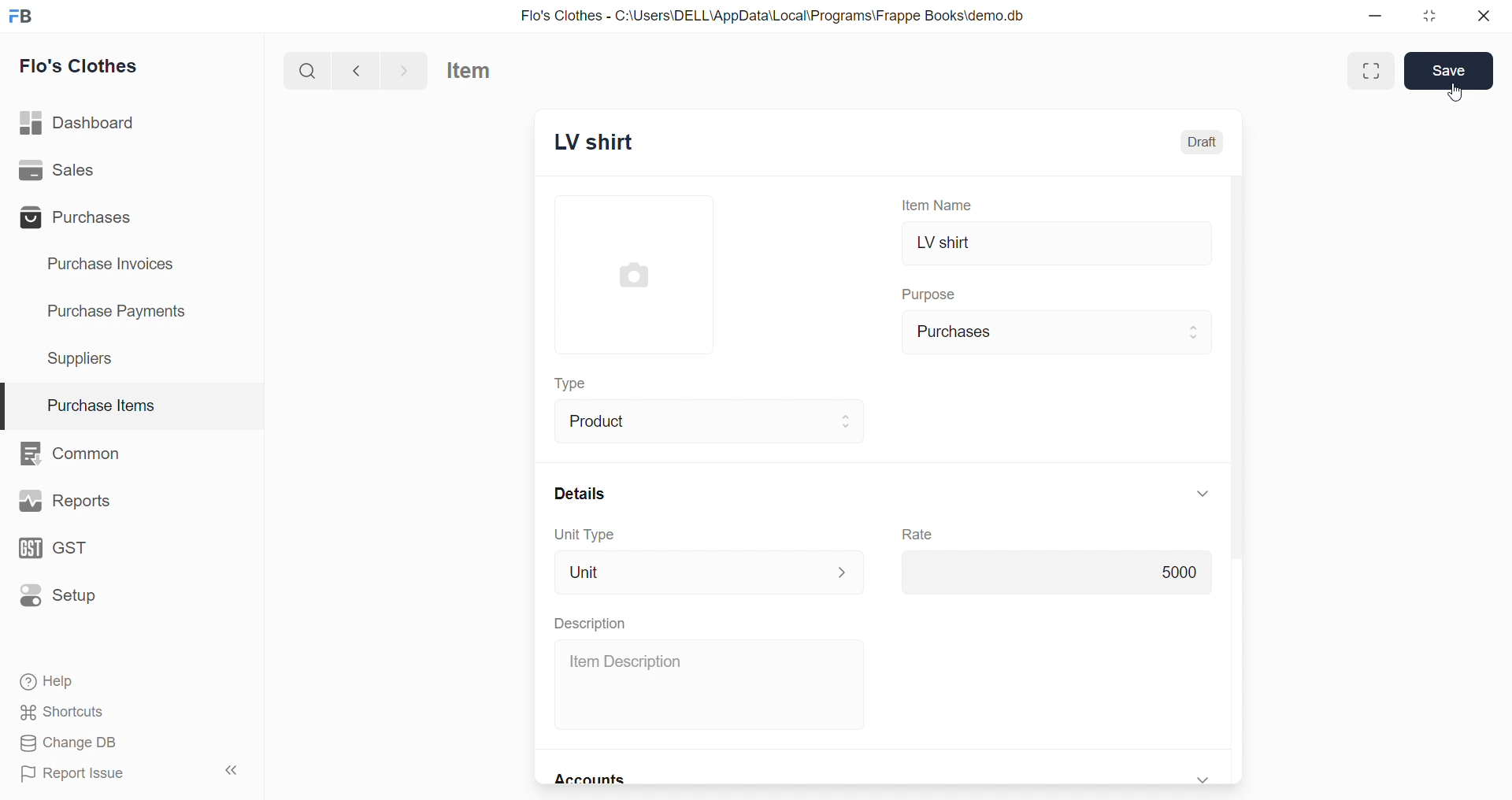  Describe the element at coordinates (121, 265) in the screenshot. I see `Purchase Invoices` at that location.